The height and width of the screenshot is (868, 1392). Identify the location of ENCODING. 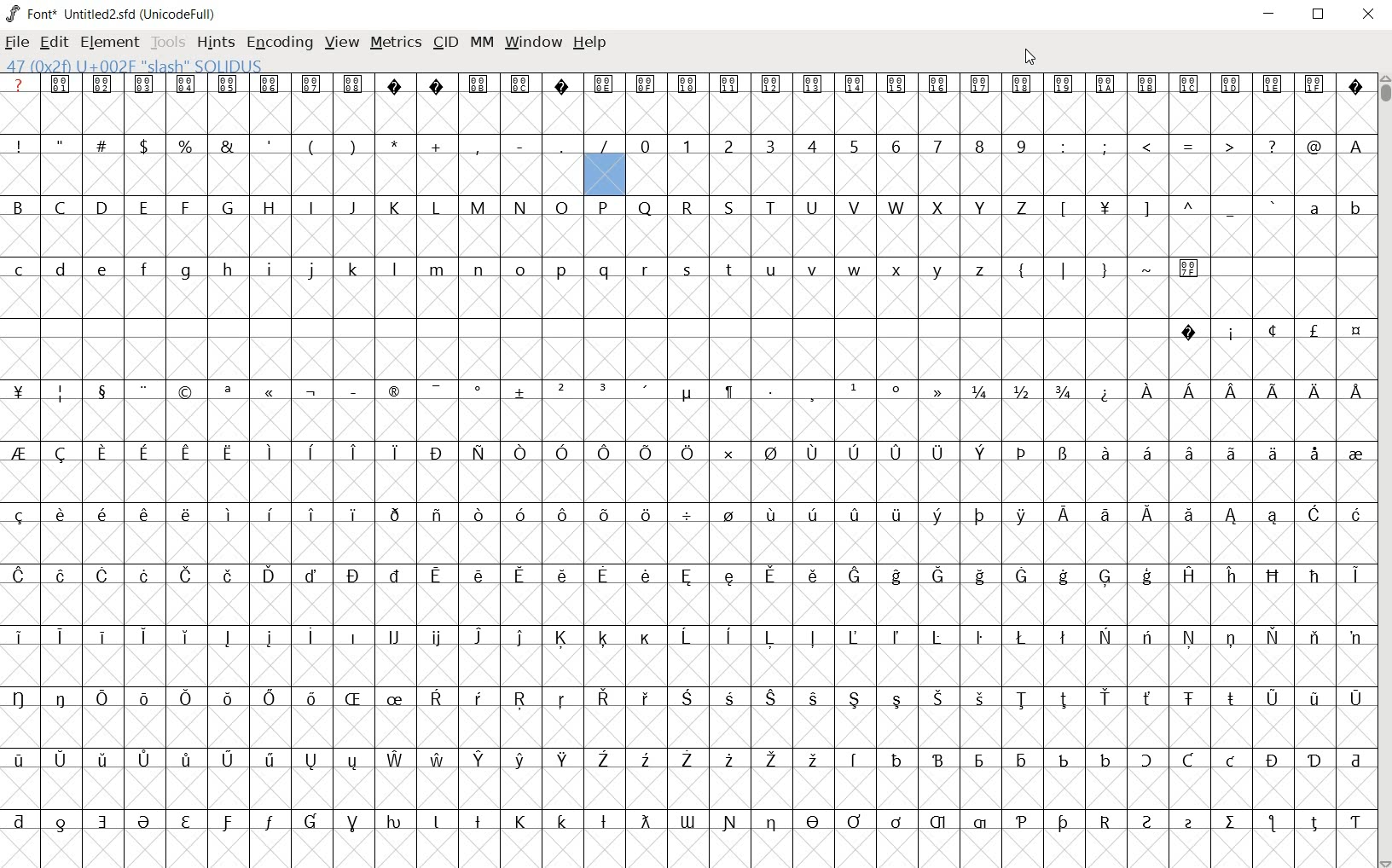
(279, 43).